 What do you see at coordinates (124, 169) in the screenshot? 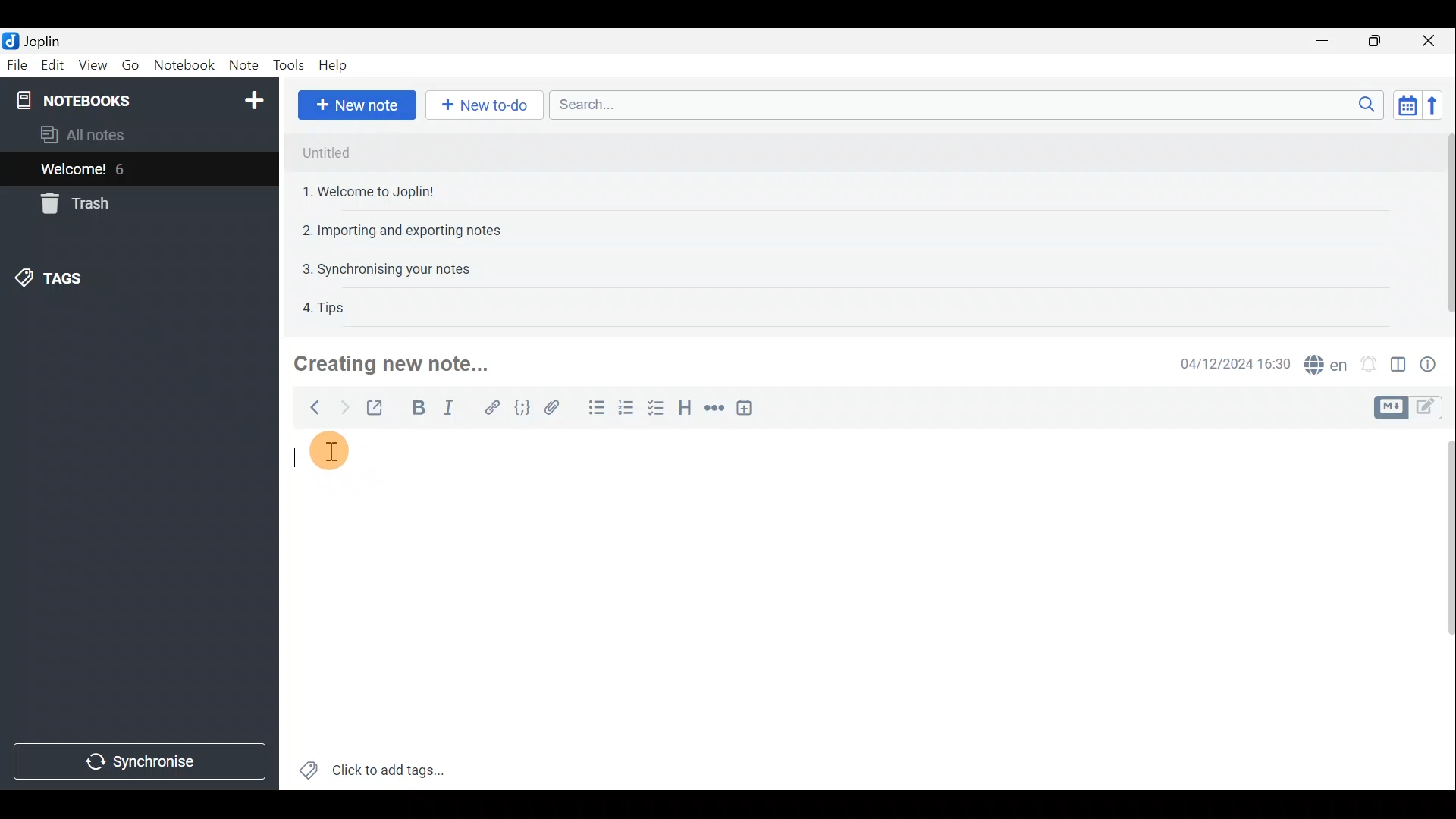
I see `6` at bounding box center [124, 169].